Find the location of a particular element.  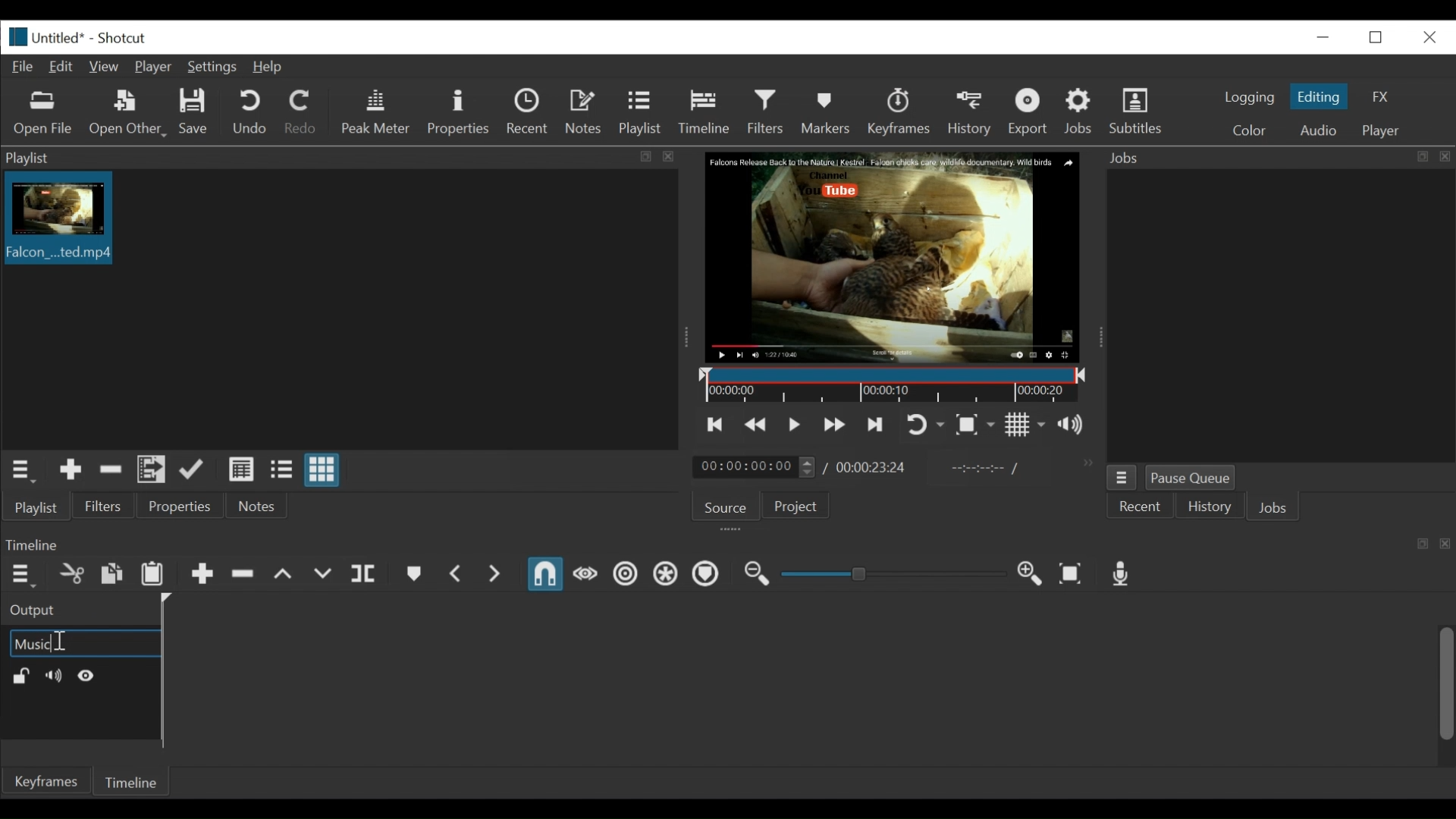

View as detail is located at coordinates (240, 472).